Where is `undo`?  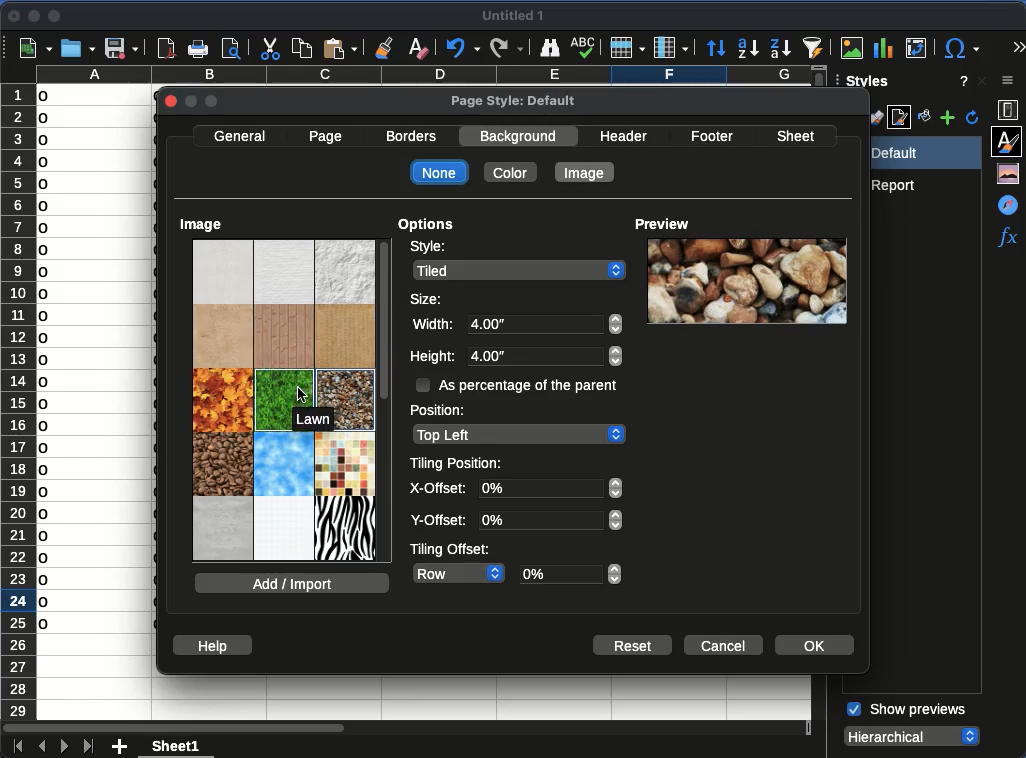
undo is located at coordinates (463, 49).